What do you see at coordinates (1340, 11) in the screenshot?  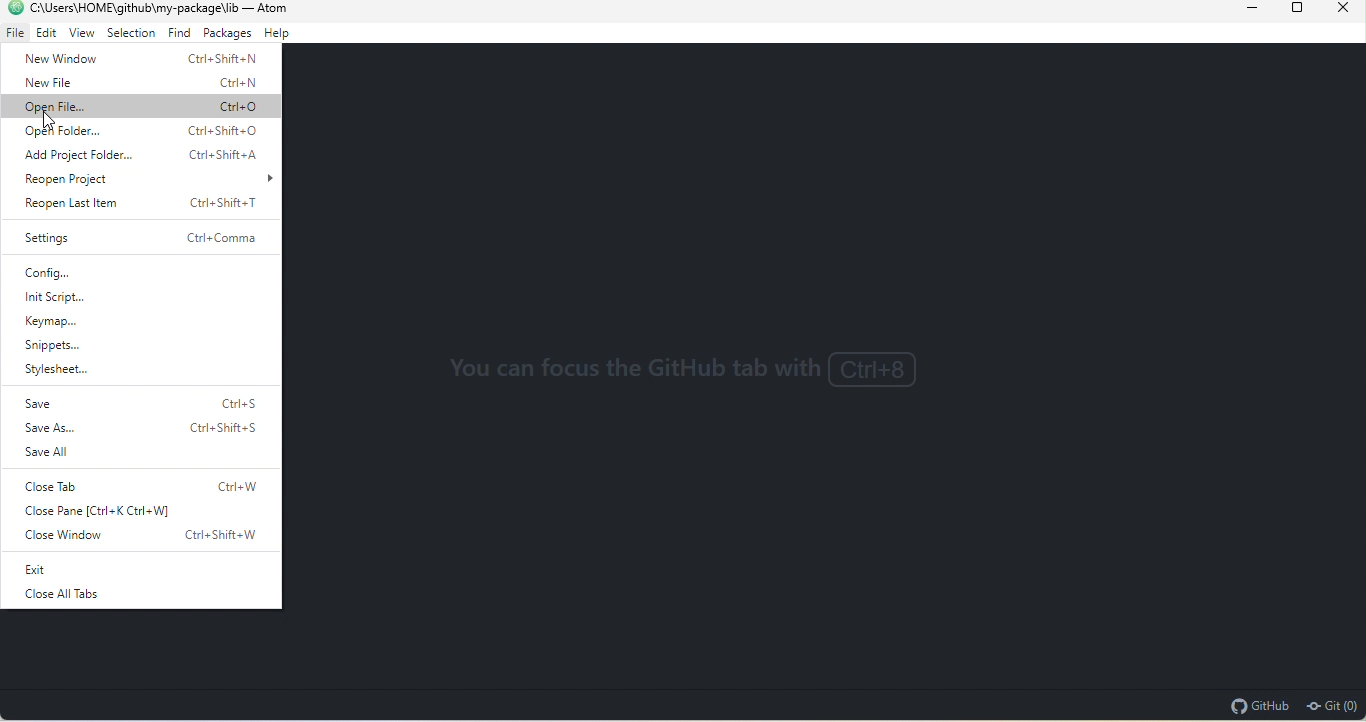 I see `close` at bounding box center [1340, 11].